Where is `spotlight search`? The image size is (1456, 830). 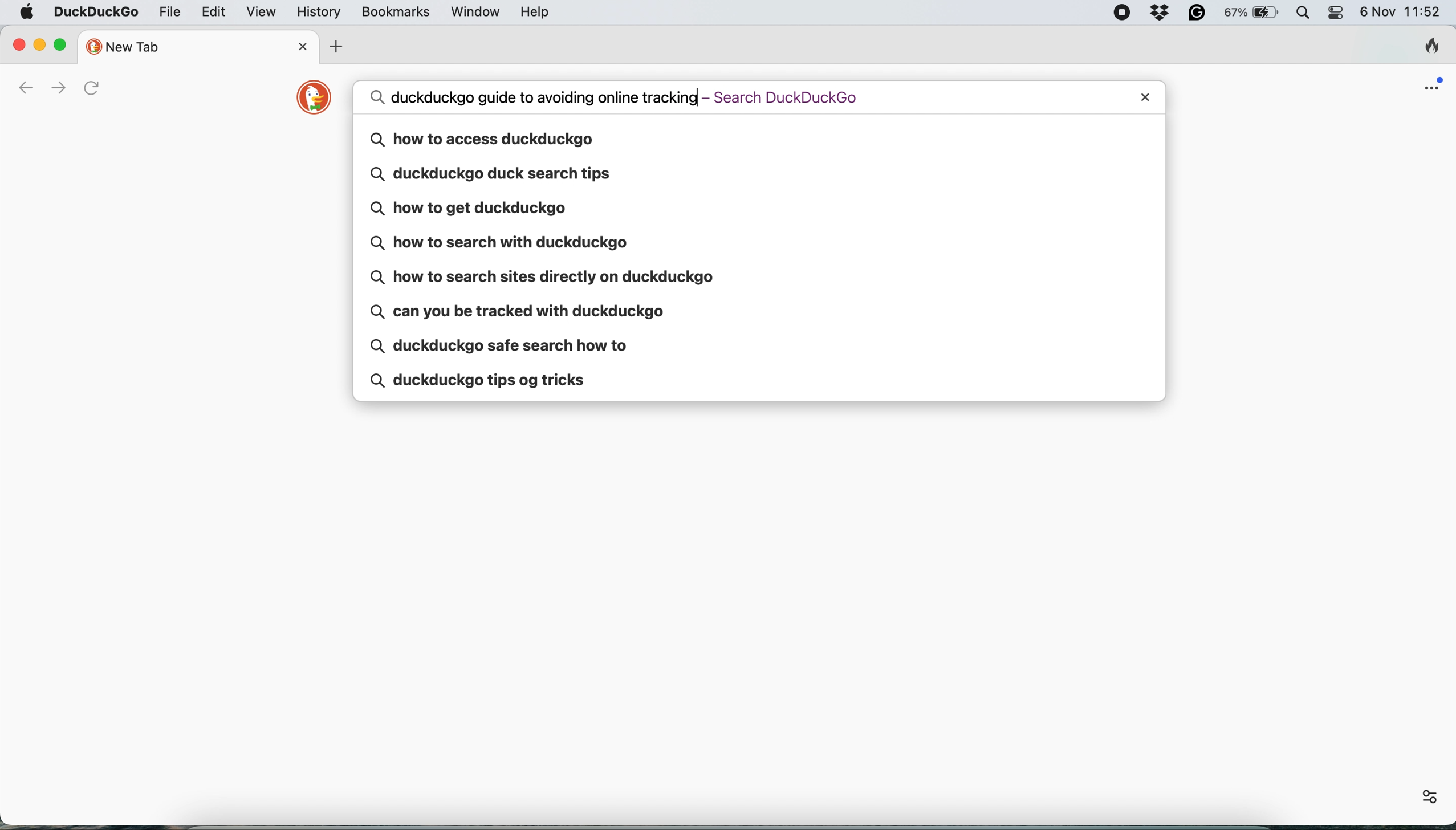
spotlight search is located at coordinates (1306, 13).